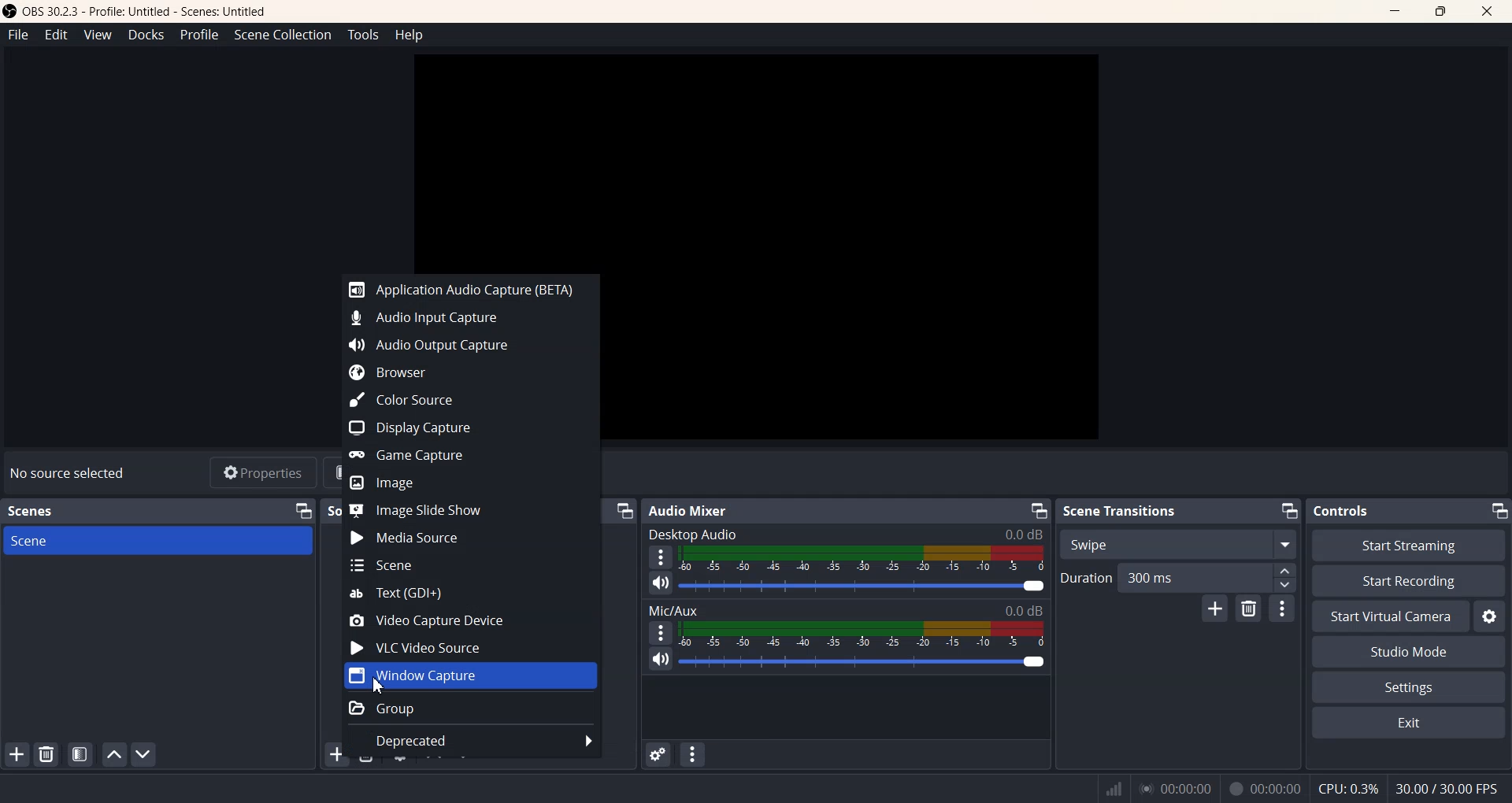 The image size is (1512, 803). I want to click on Video Capture Device, so click(469, 620).